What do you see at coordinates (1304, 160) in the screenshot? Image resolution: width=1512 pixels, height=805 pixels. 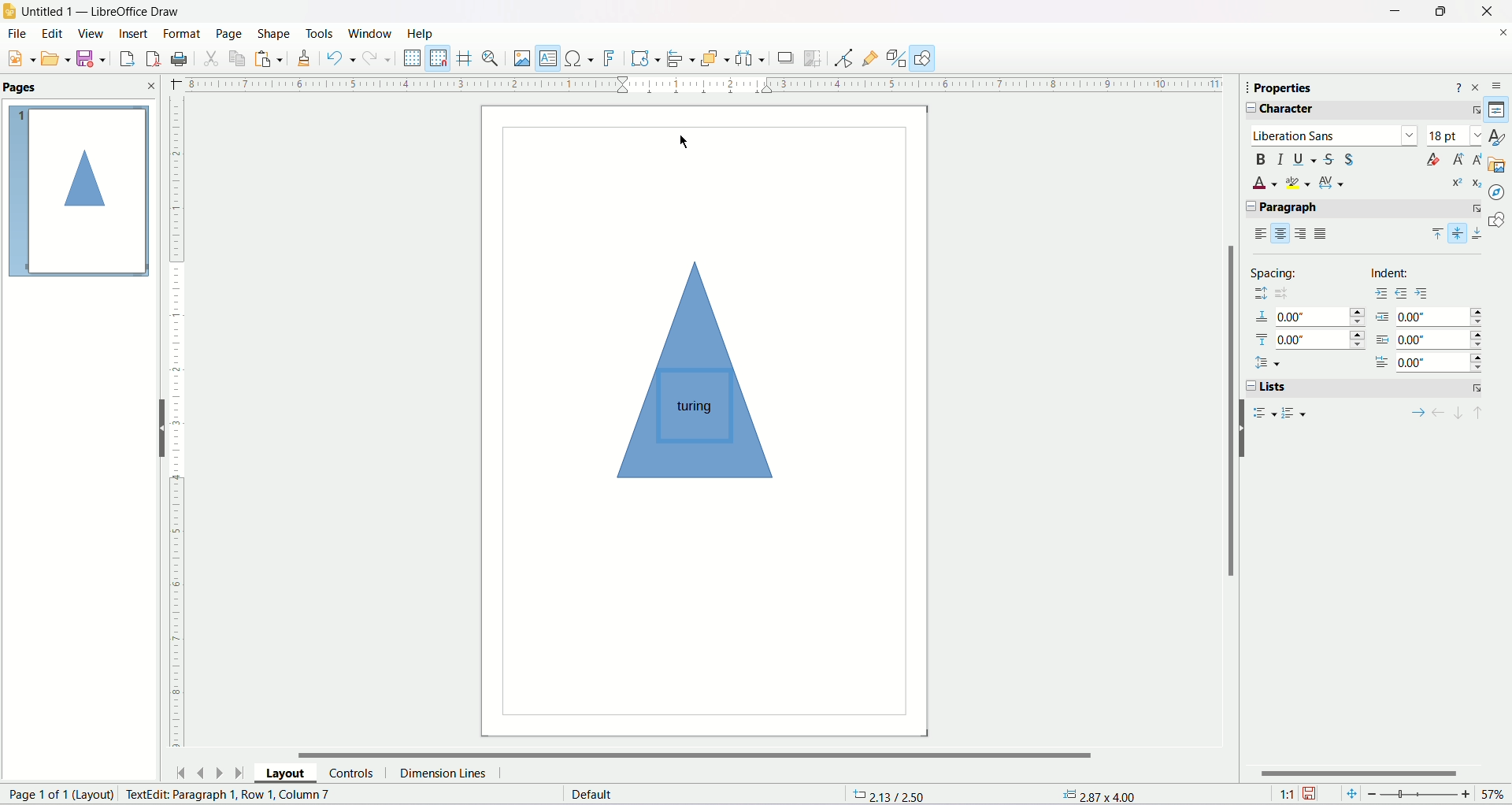 I see `underline` at bounding box center [1304, 160].